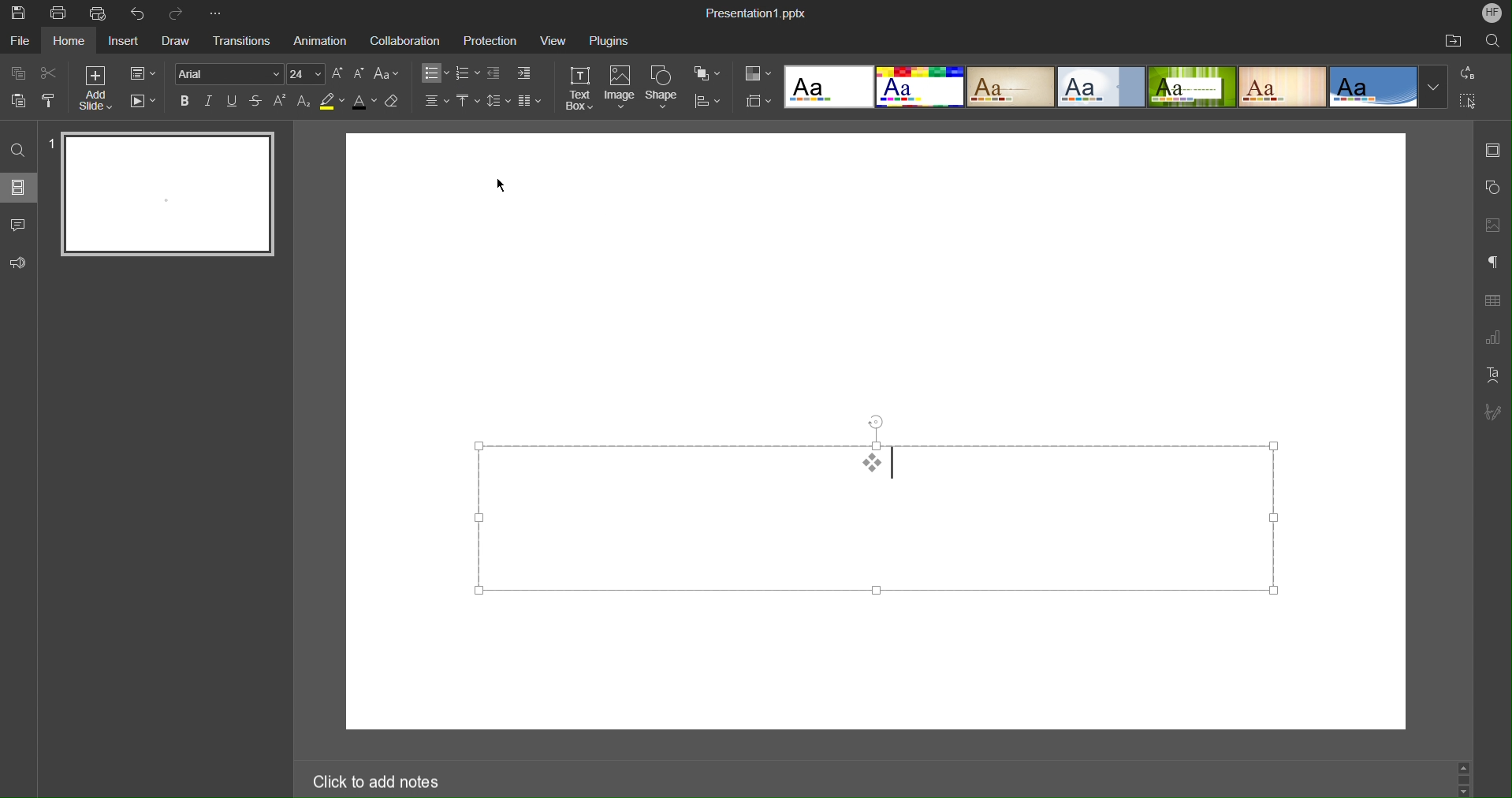 This screenshot has height=798, width=1512. What do you see at coordinates (1191, 88) in the screenshot?
I see `template` at bounding box center [1191, 88].